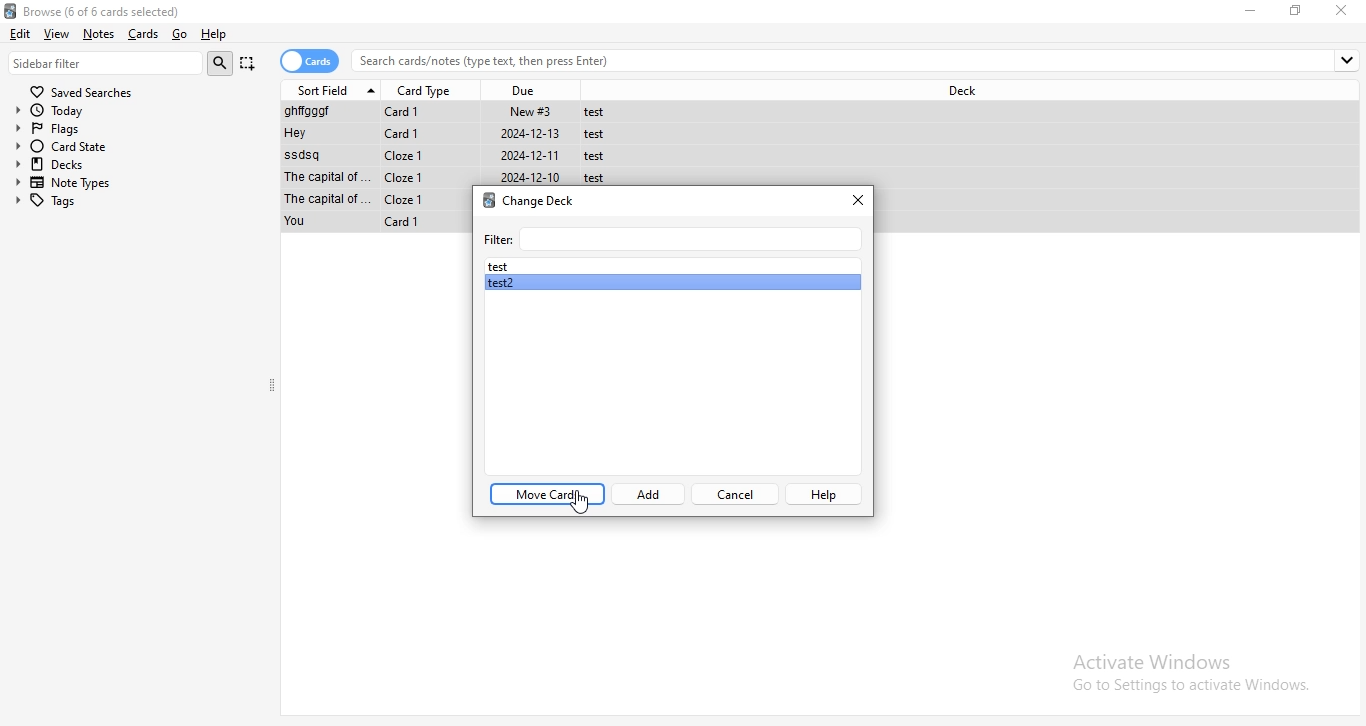  Describe the element at coordinates (180, 33) in the screenshot. I see `go` at that location.